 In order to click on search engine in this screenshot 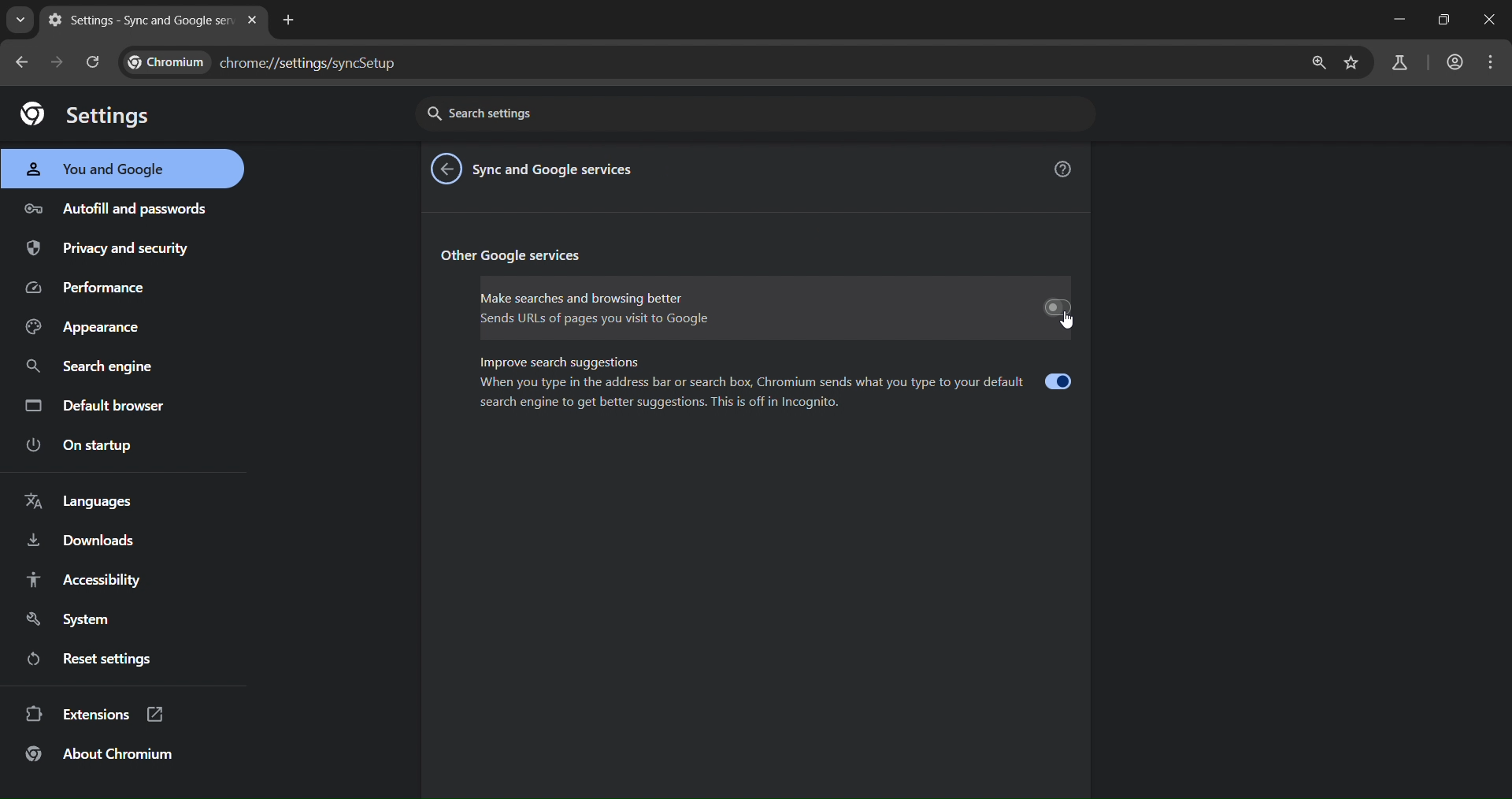, I will do `click(88, 369)`.